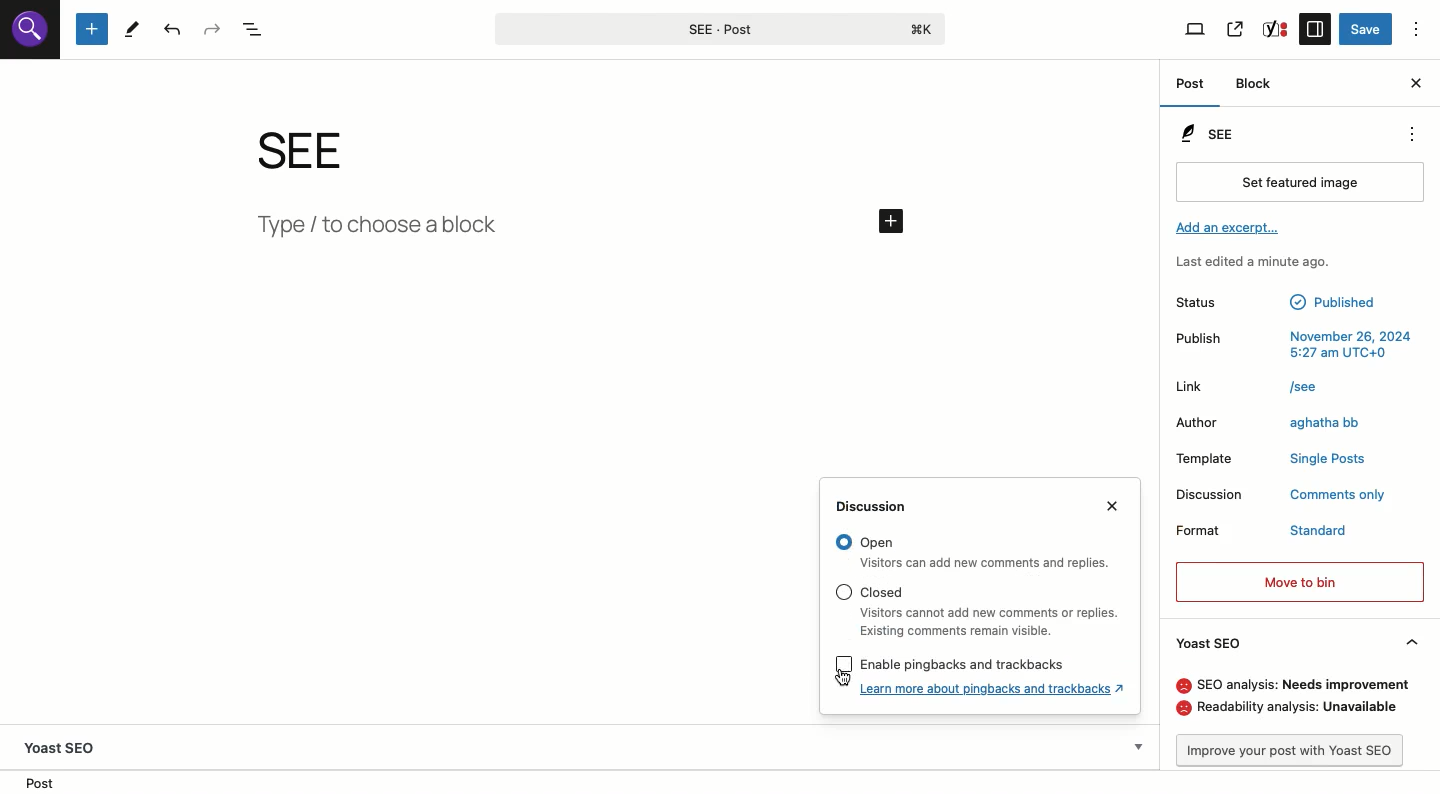 The height and width of the screenshot is (794, 1440). What do you see at coordinates (974, 610) in the screenshot?
I see `Closed Visitors cannot add new comments of replies.Existing comments remain visible.` at bounding box center [974, 610].